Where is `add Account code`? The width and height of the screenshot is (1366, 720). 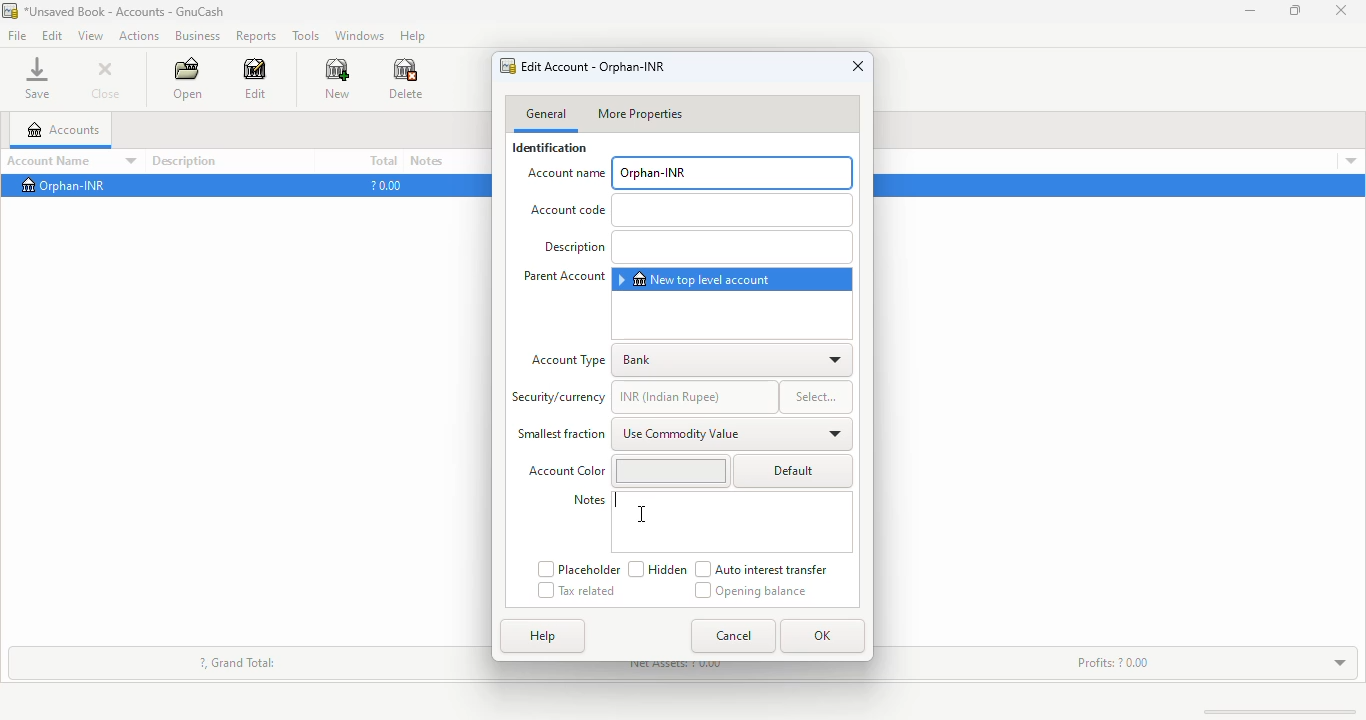 add Account code is located at coordinates (729, 211).